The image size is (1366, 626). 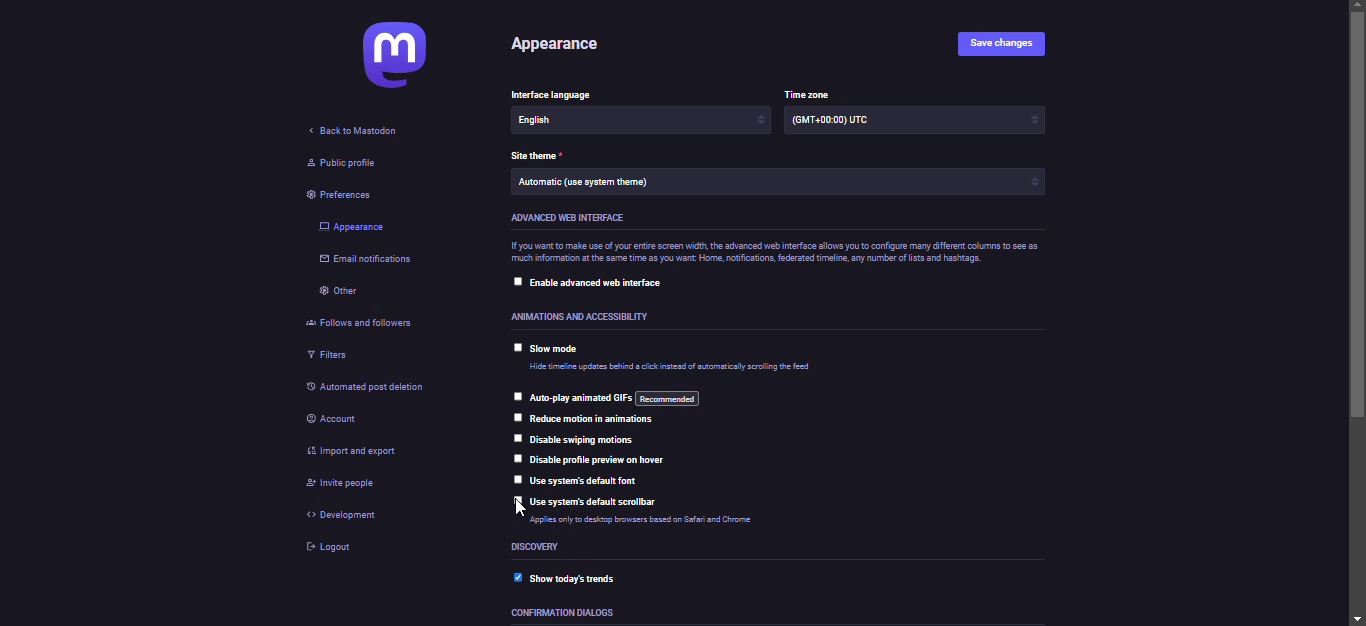 What do you see at coordinates (516, 396) in the screenshot?
I see `click to select` at bounding box center [516, 396].